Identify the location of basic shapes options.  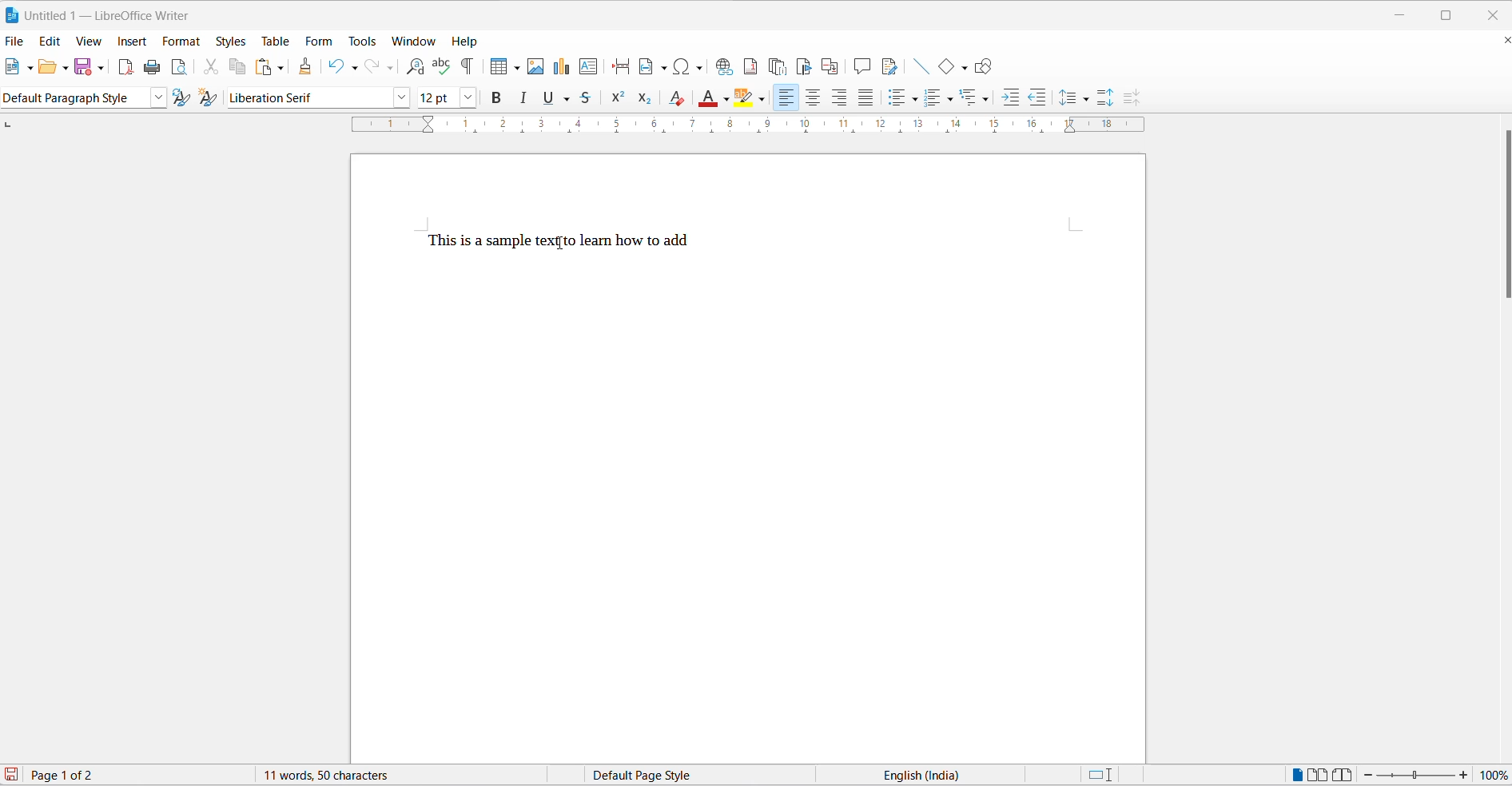
(961, 65).